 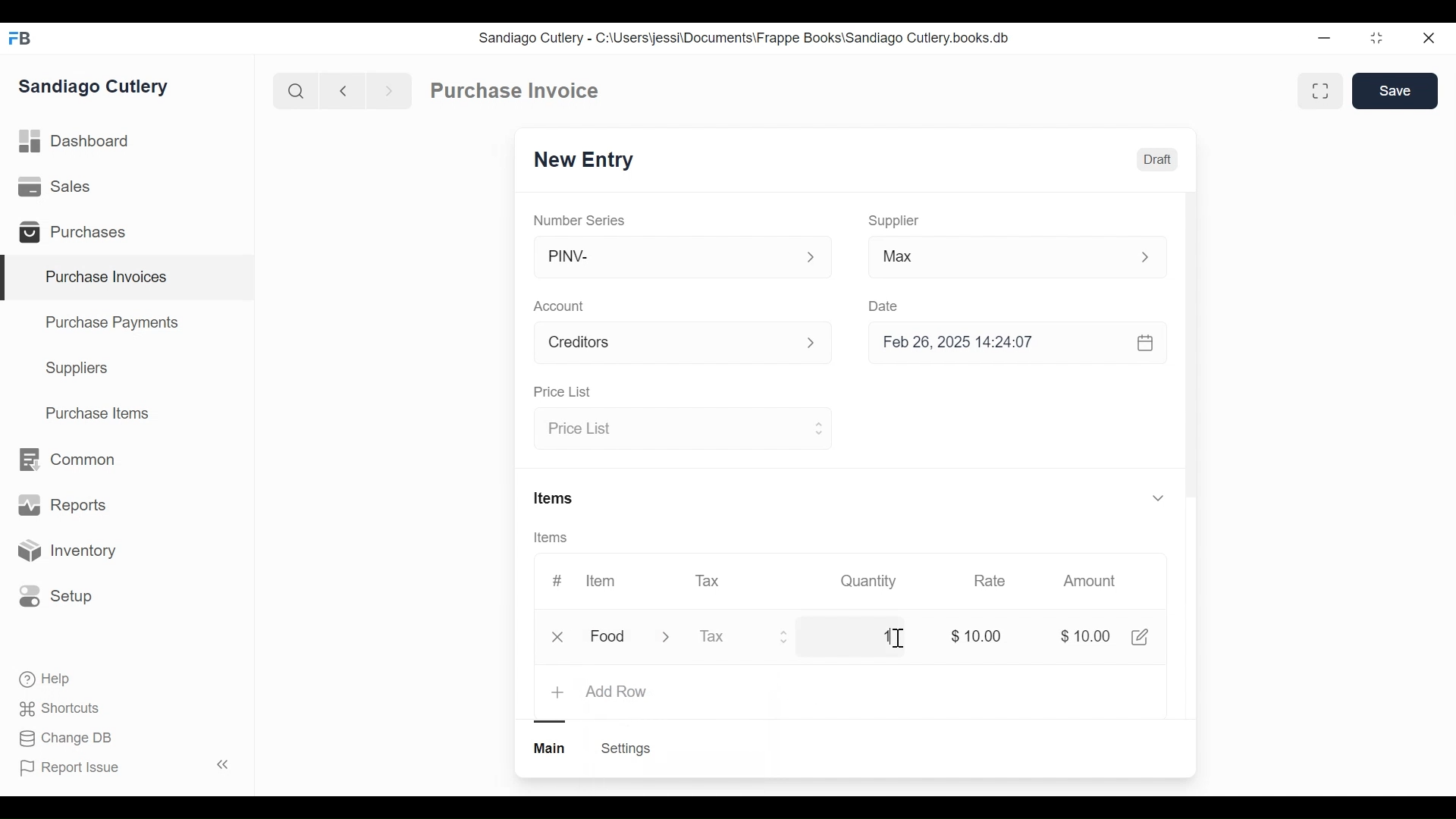 I want to click on Purchase Invoices, so click(x=128, y=278).